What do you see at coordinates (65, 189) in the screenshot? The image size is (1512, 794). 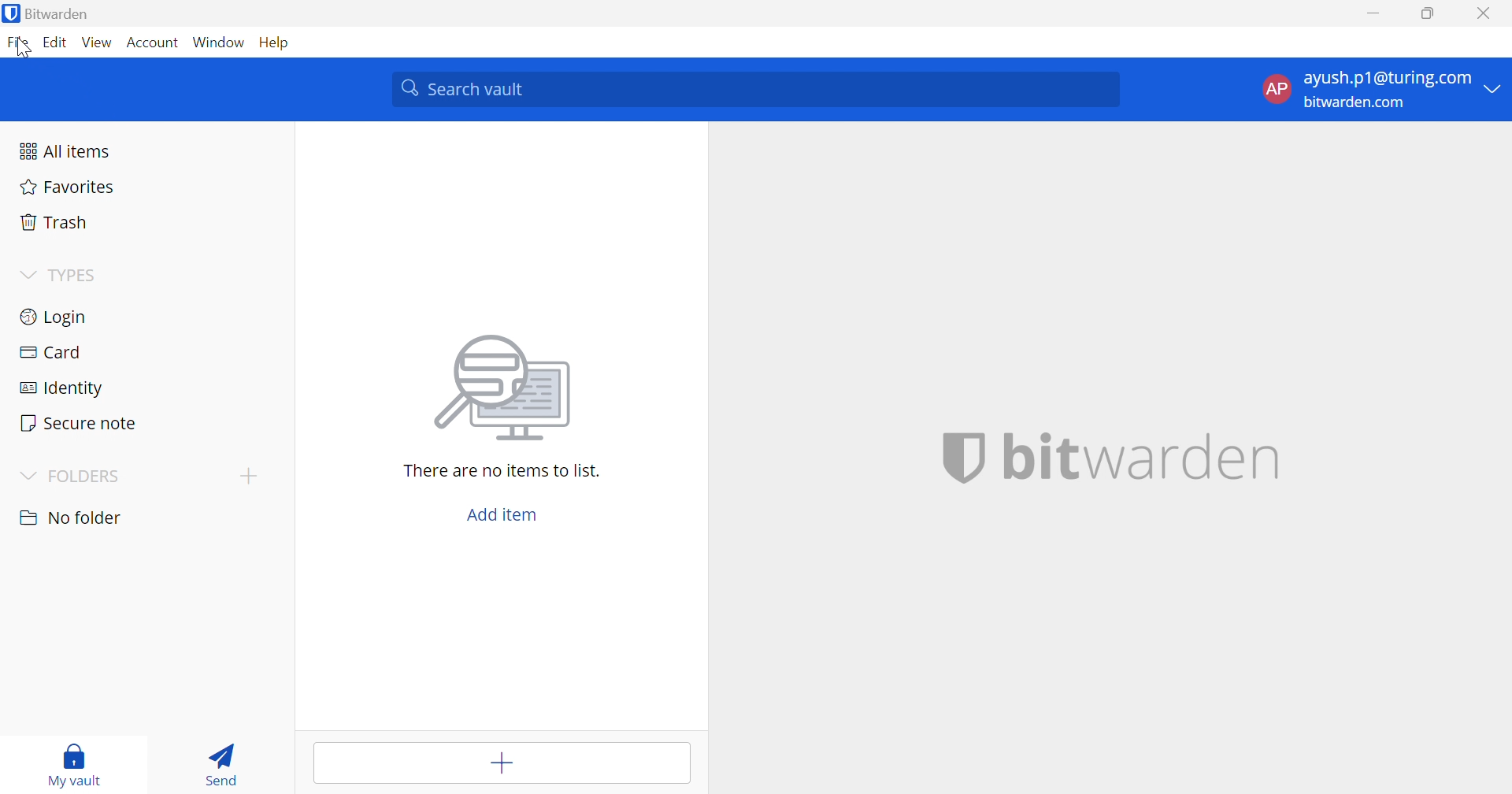 I see `Favorites` at bounding box center [65, 189].